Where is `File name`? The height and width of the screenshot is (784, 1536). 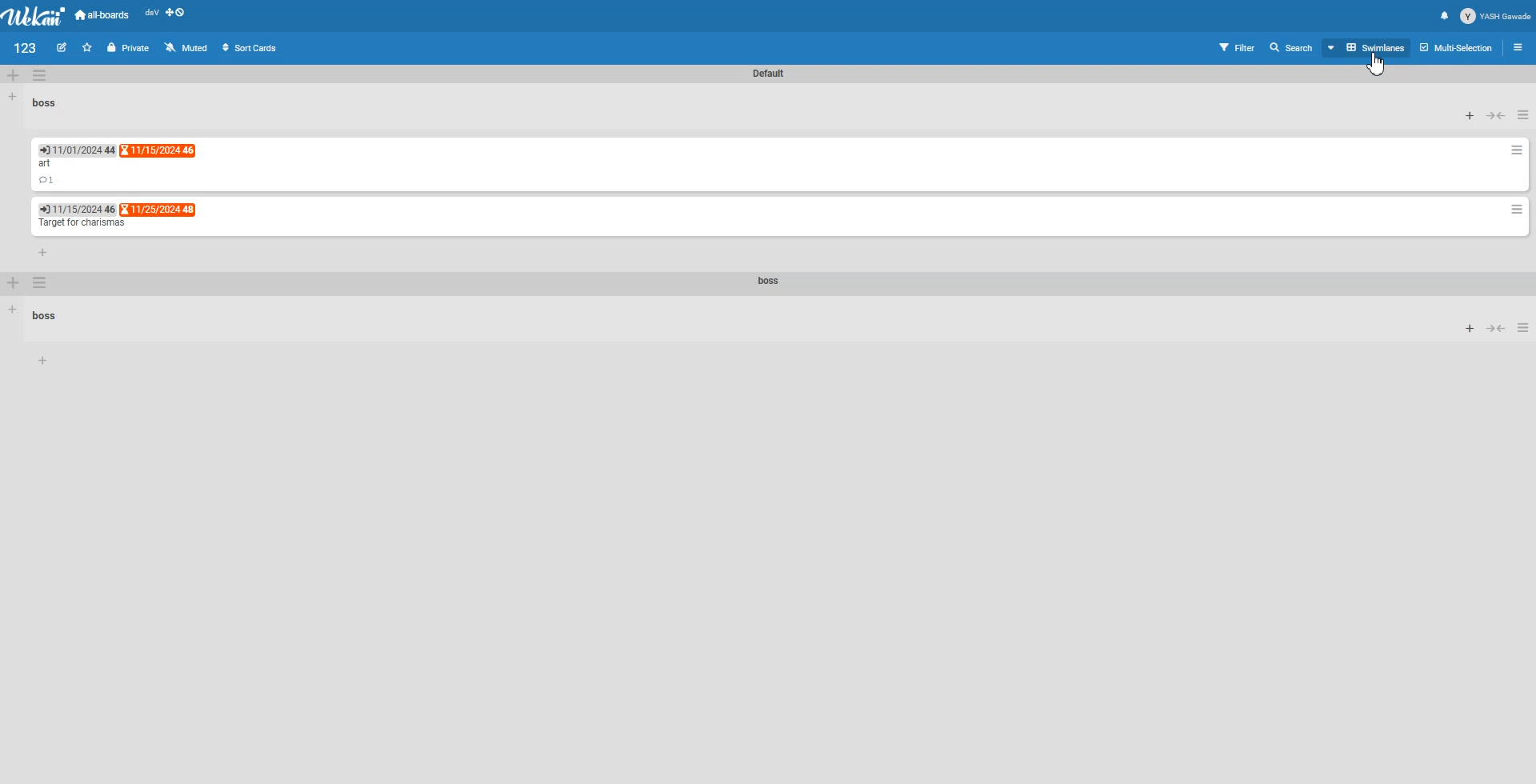 File name is located at coordinates (26, 47).